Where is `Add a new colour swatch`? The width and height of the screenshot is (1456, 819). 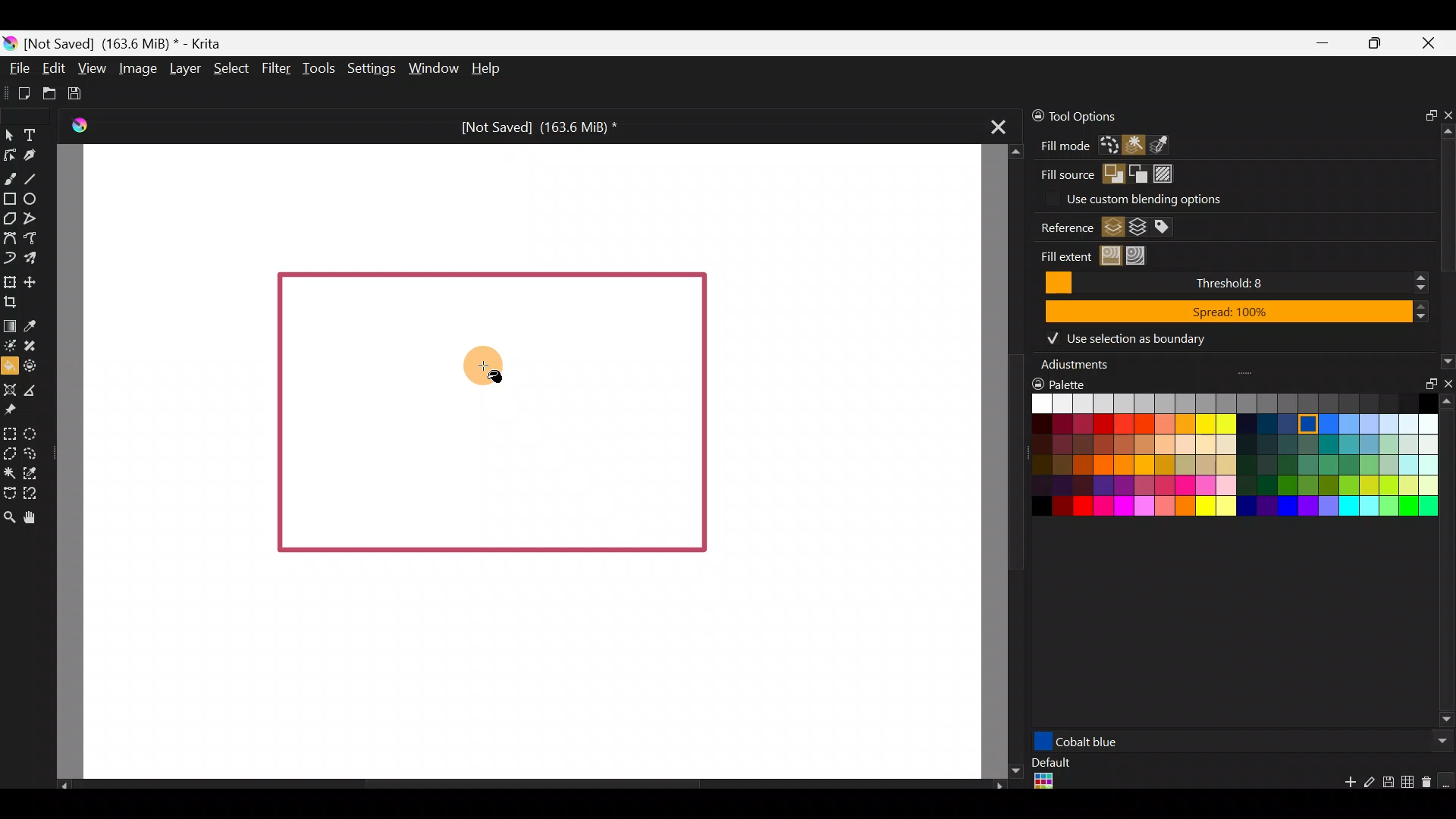
Add a new colour swatch is located at coordinates (1342, 786).